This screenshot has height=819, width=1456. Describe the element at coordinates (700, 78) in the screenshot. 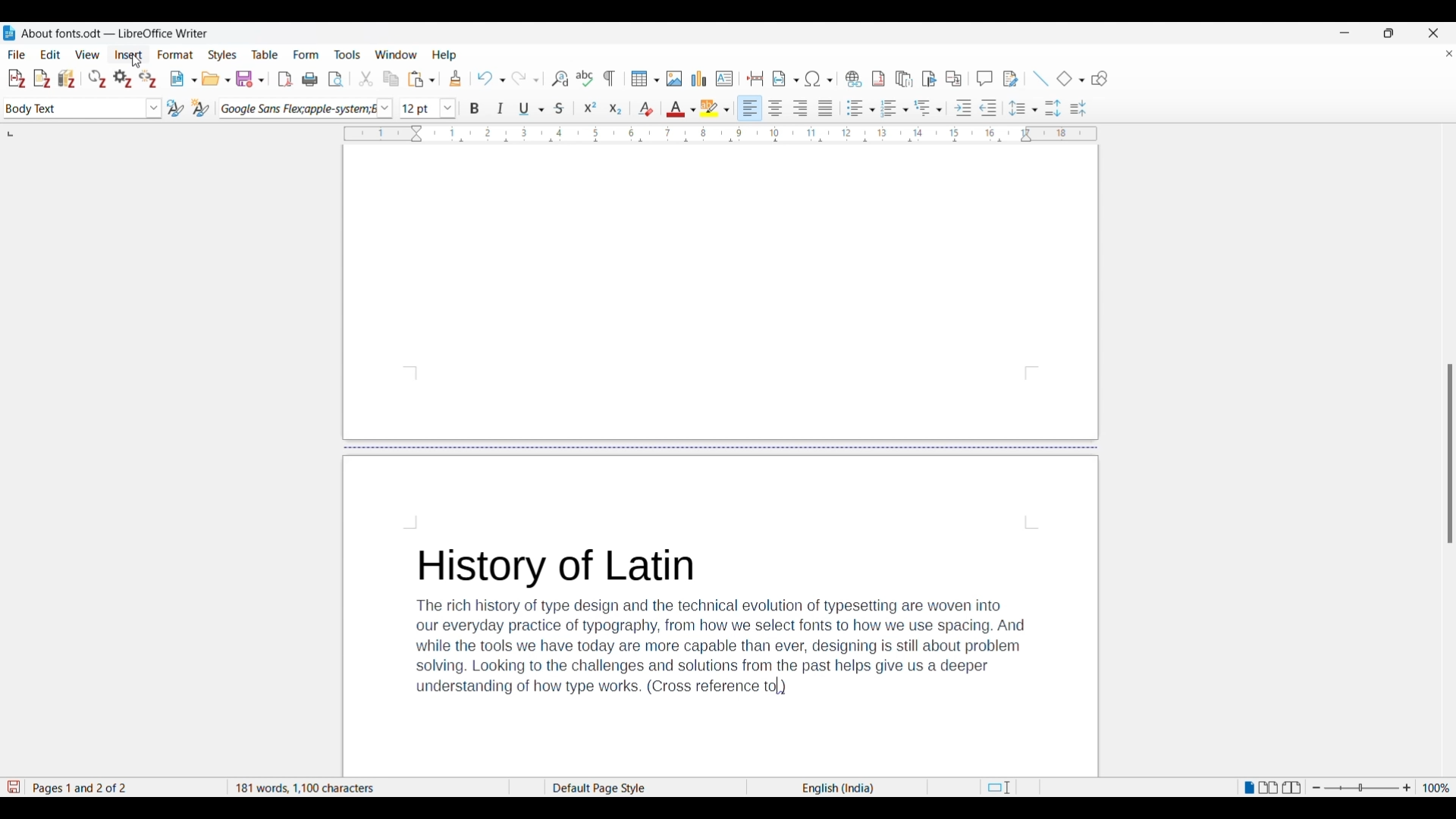

I see `Insert graph` at that location.